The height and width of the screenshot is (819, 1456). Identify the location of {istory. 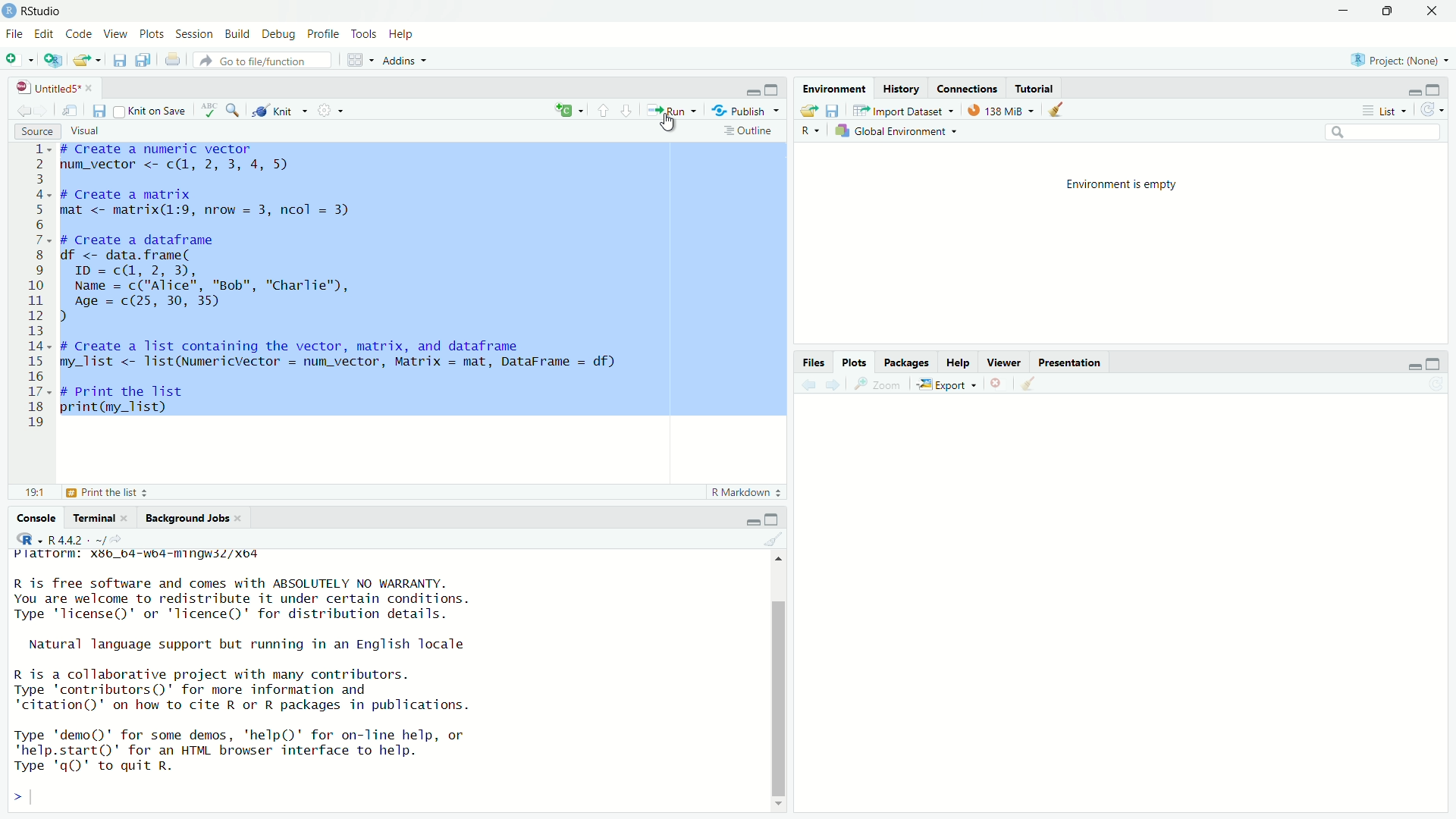
(902, 89).